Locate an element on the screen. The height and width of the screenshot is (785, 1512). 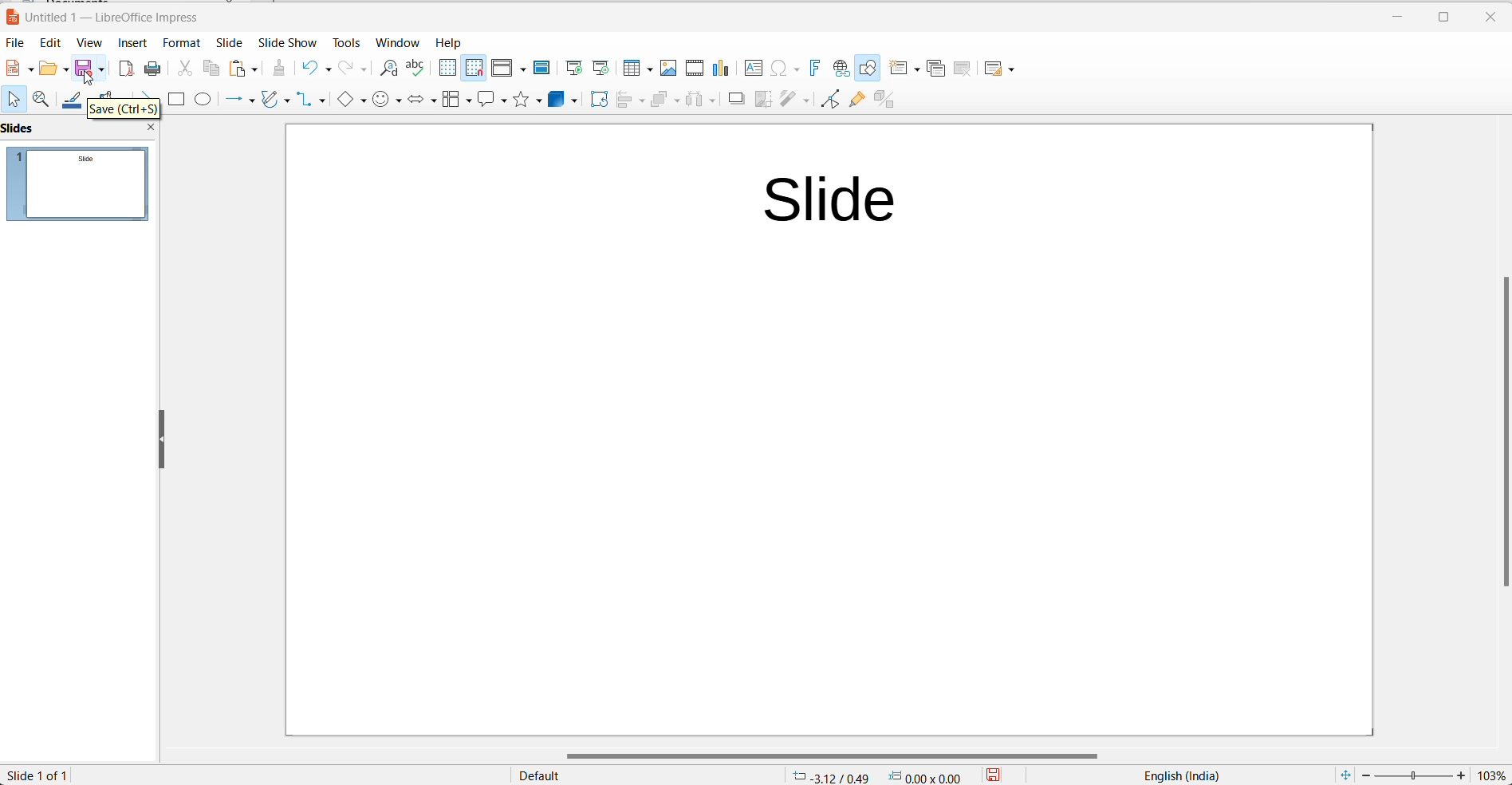
vertical scroll bar is located at coordinates (1502, 433).